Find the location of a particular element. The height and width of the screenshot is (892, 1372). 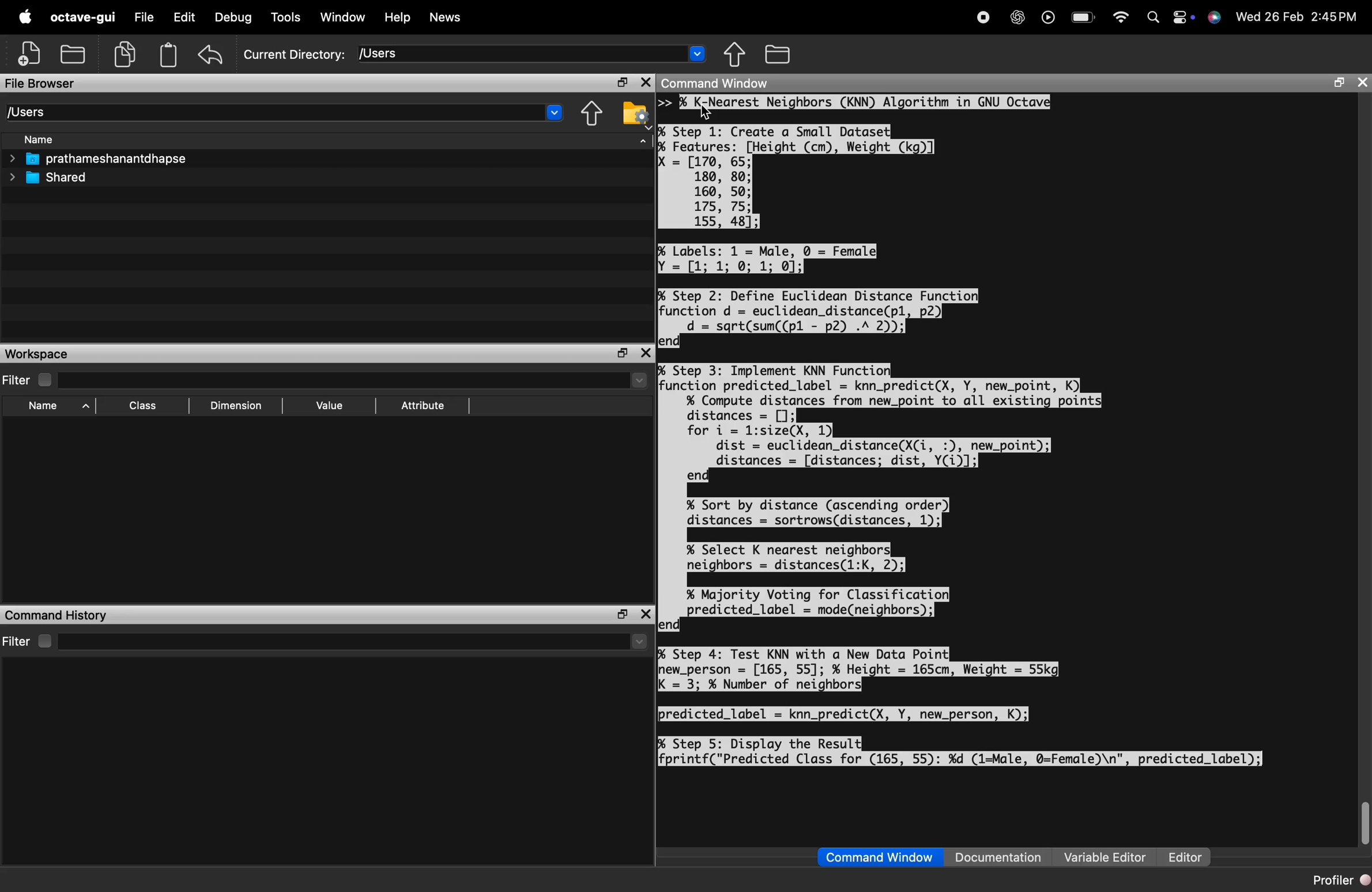

octave-gui is located at coordinates (84, 17).